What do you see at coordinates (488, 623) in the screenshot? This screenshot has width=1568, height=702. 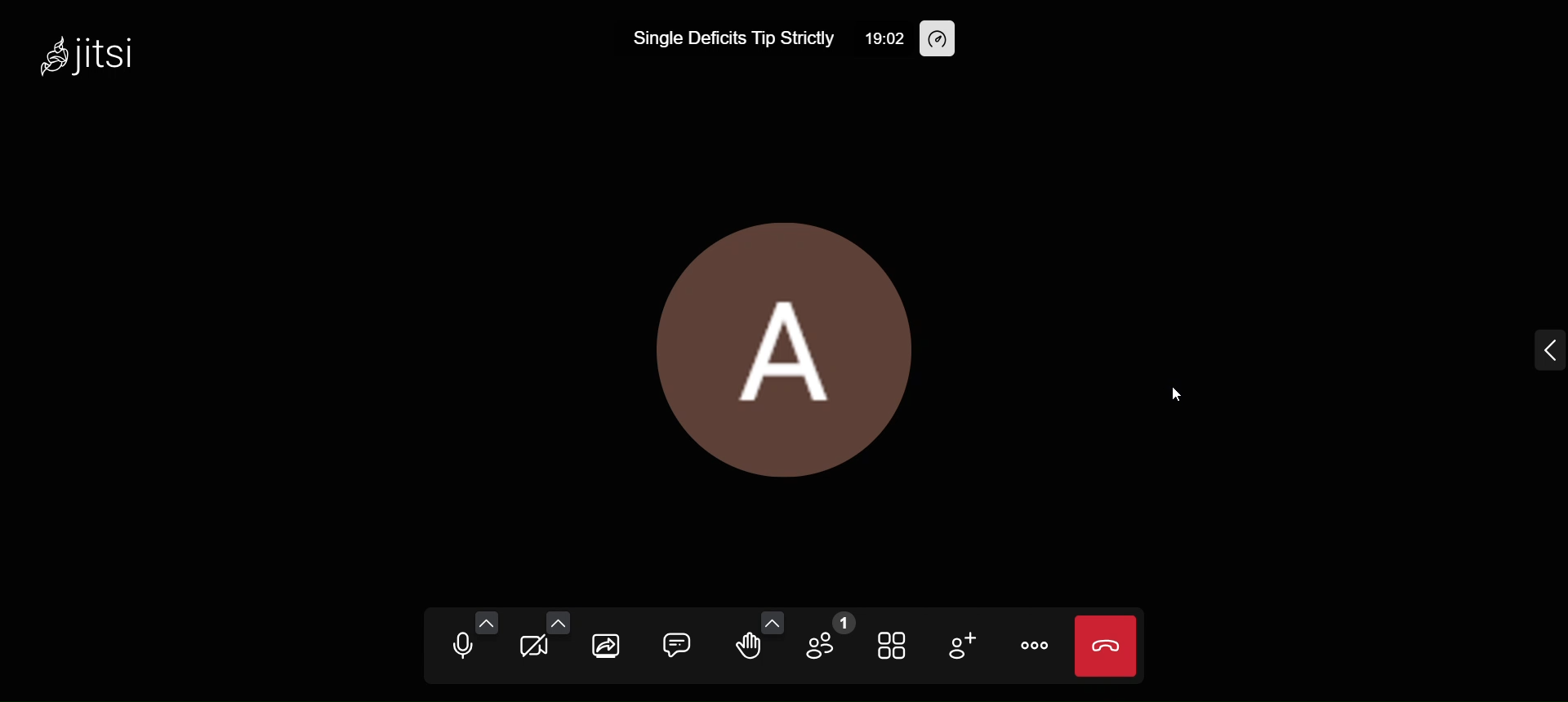 I see `audio setting` at bounding box center [488, 623].